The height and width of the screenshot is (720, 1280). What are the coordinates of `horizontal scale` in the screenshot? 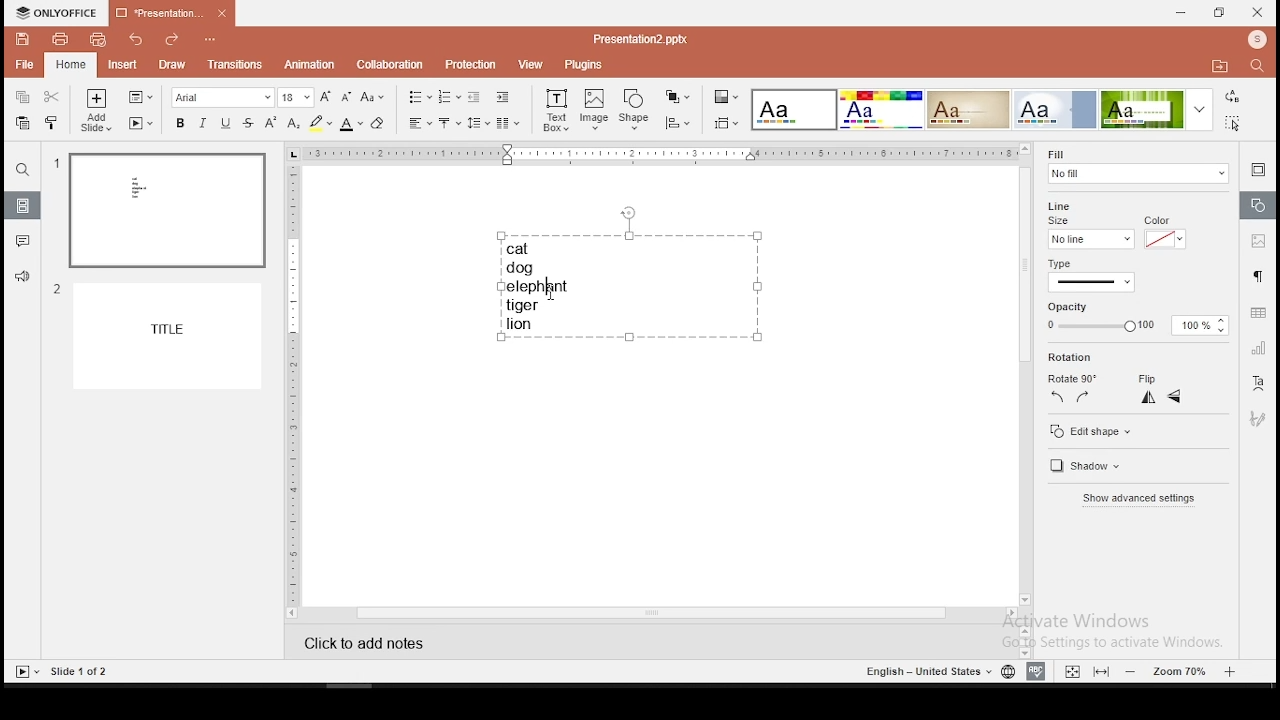 It's located at (660, 153).